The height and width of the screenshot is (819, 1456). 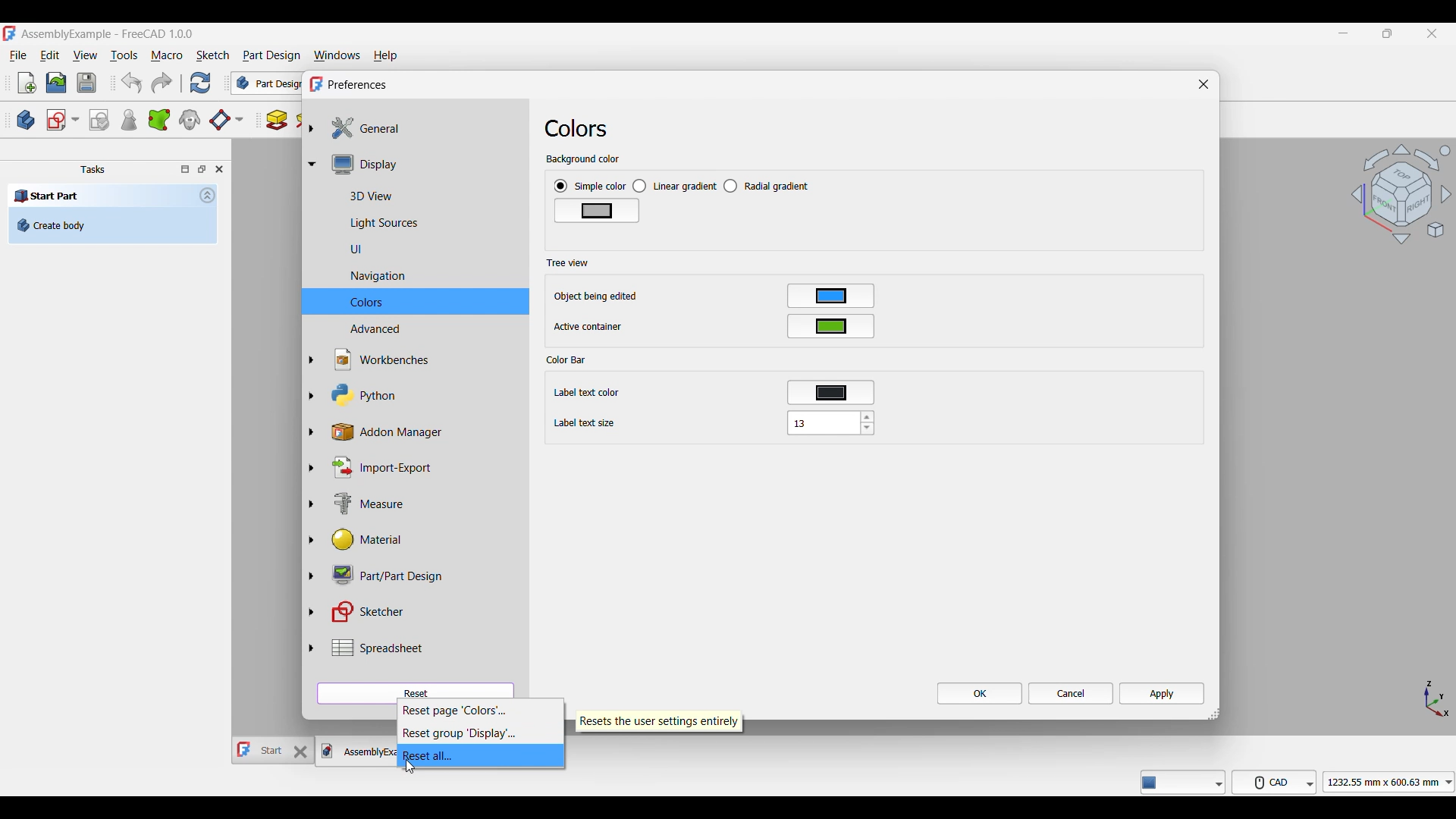 I want to click on Cursor, so click(x=410, y=767).